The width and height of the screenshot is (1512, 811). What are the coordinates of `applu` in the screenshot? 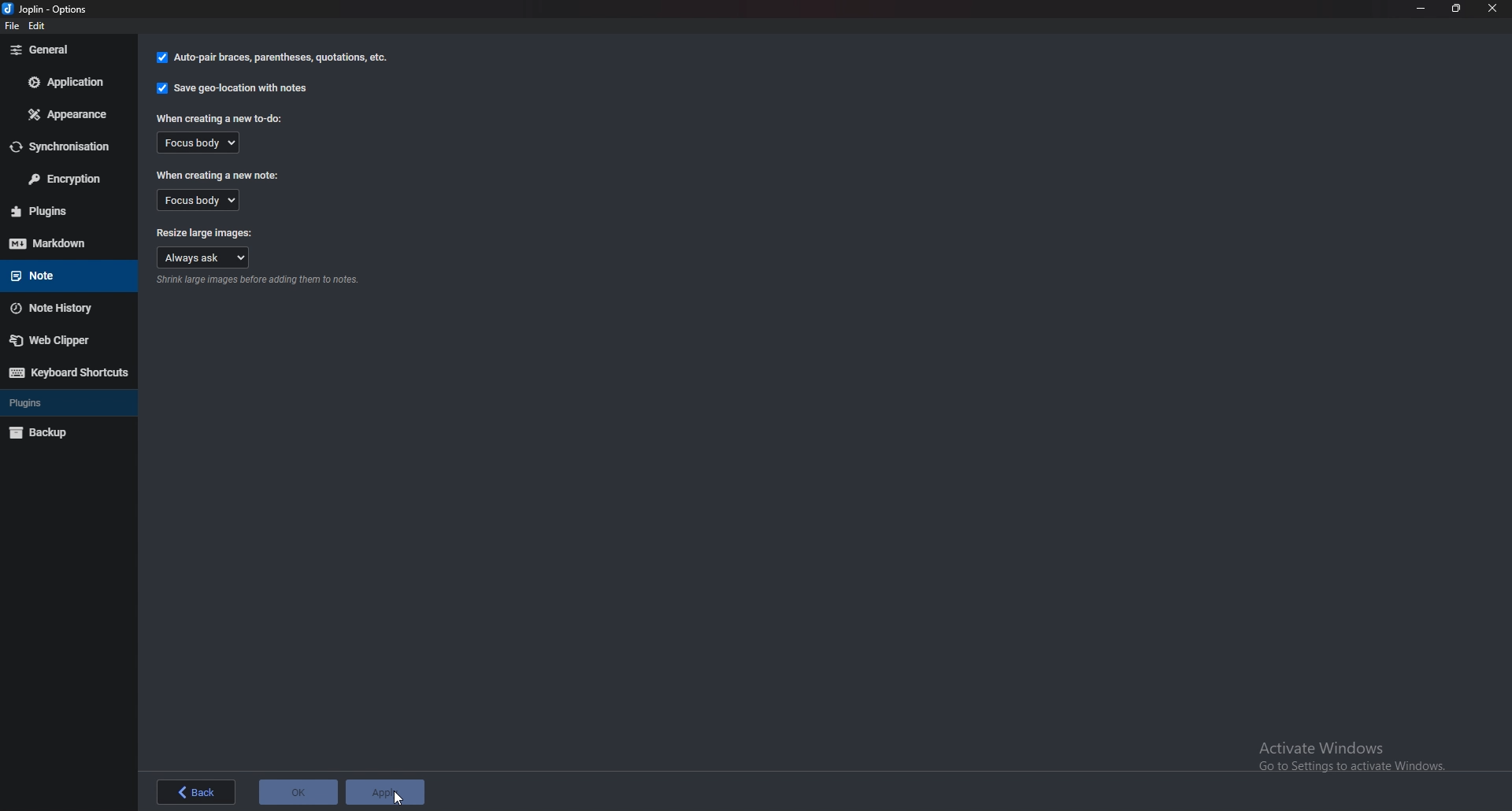 It's located at (384, 791).